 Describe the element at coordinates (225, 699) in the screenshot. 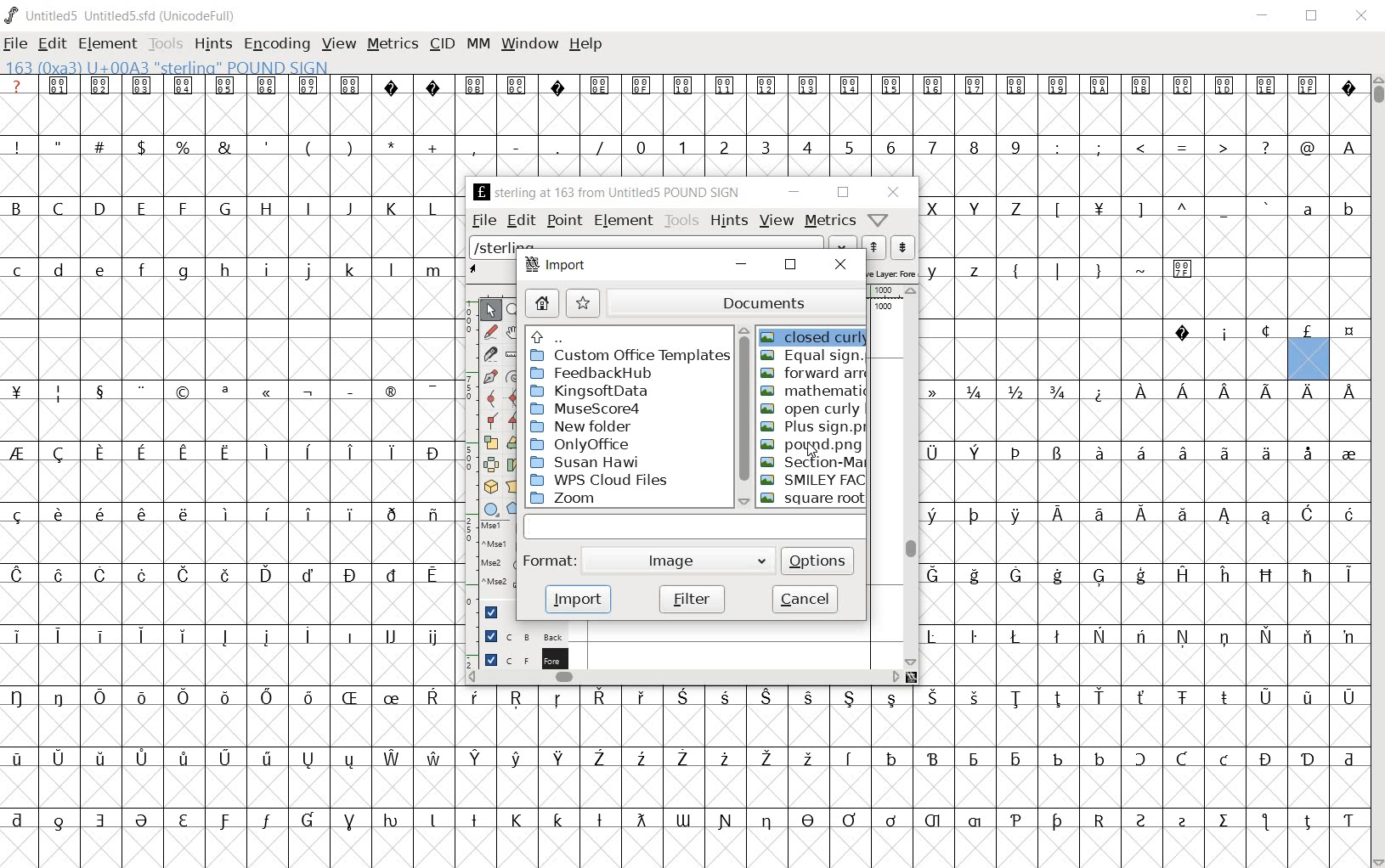

I see `Symbol` at that location.